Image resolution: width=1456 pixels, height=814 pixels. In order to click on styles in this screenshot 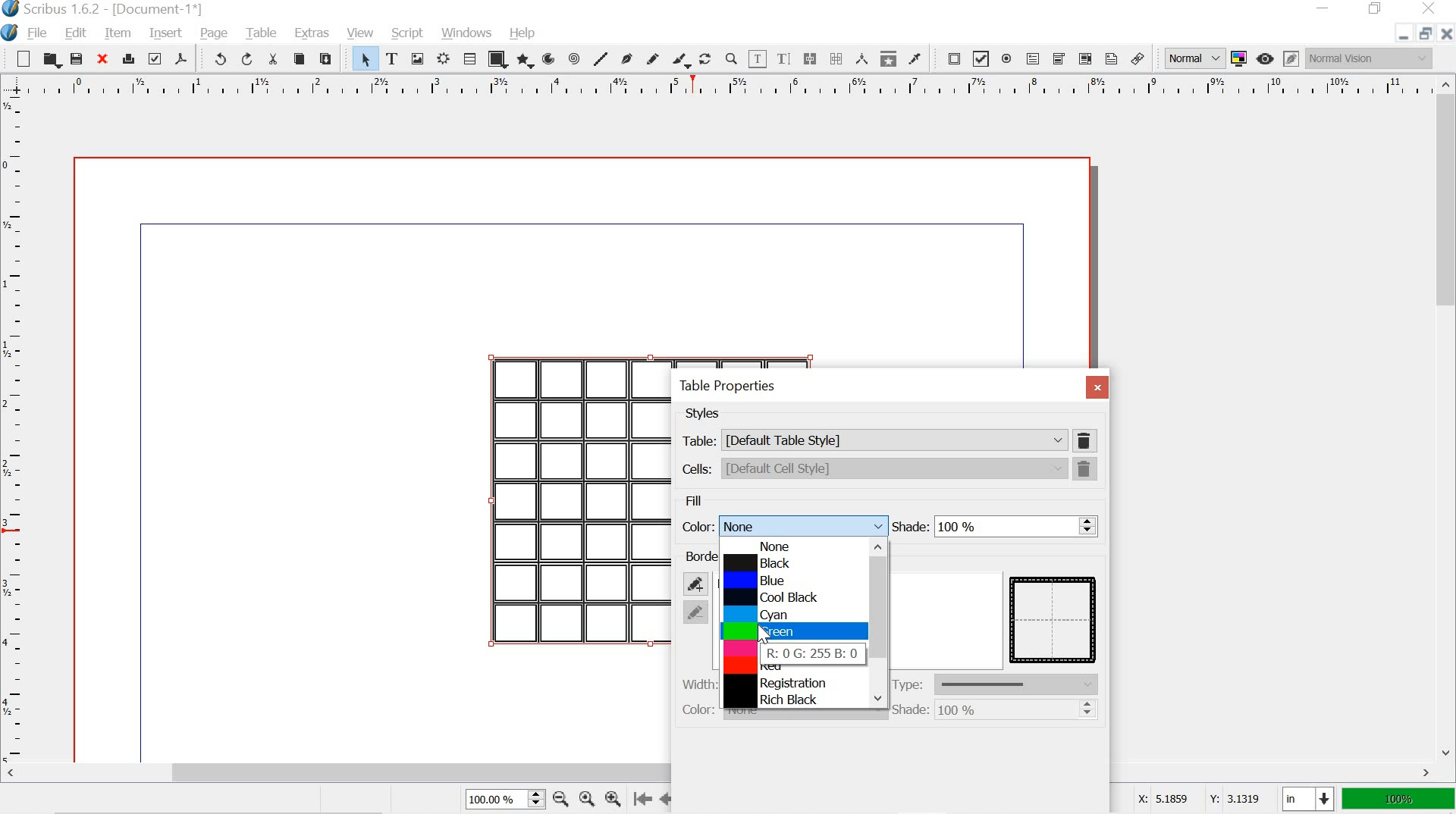, I will do `click(704, 414)`.